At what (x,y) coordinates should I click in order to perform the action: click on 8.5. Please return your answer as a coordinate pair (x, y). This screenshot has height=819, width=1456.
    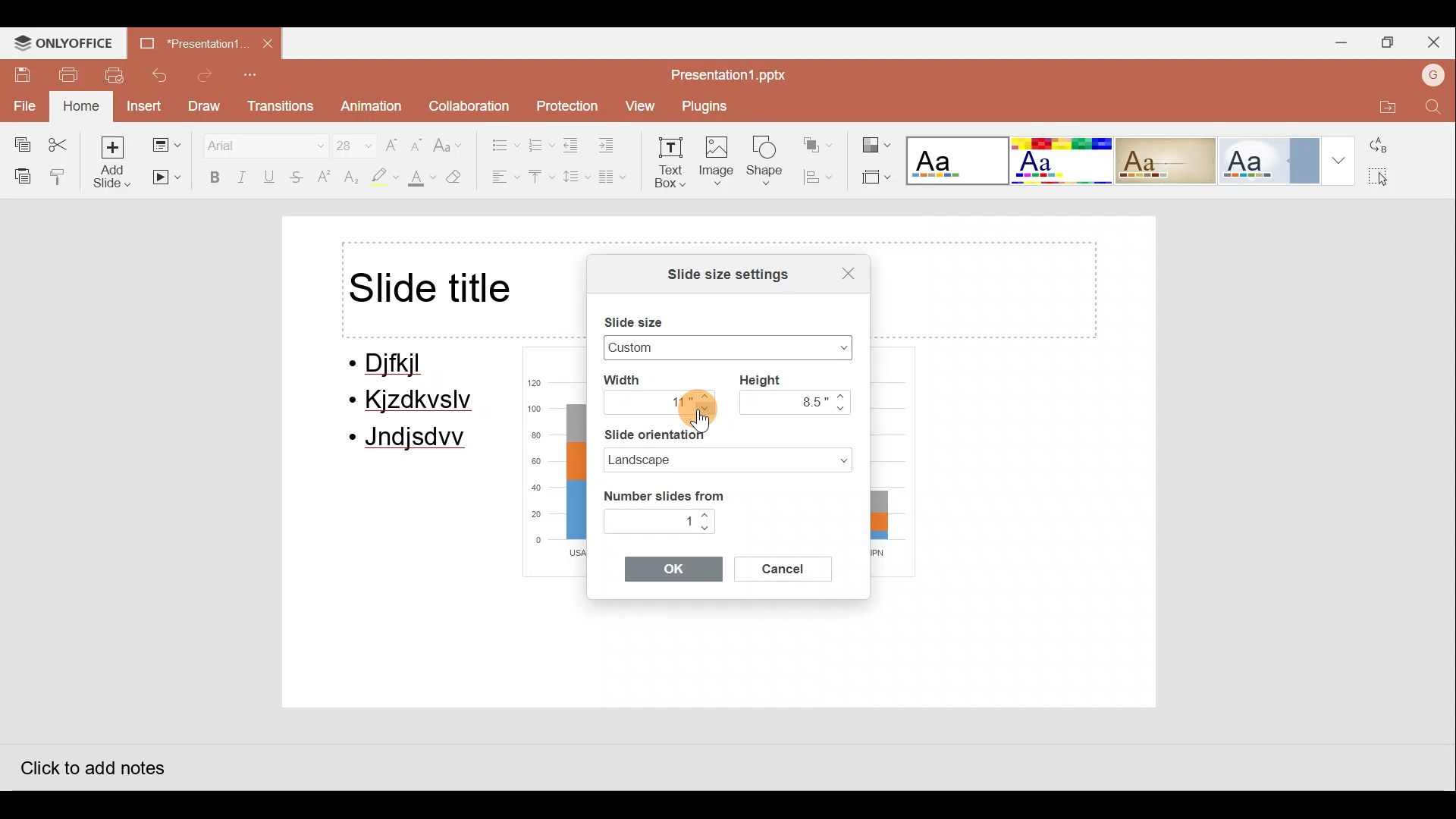
    Looking at the image, I should click on (786, 401).